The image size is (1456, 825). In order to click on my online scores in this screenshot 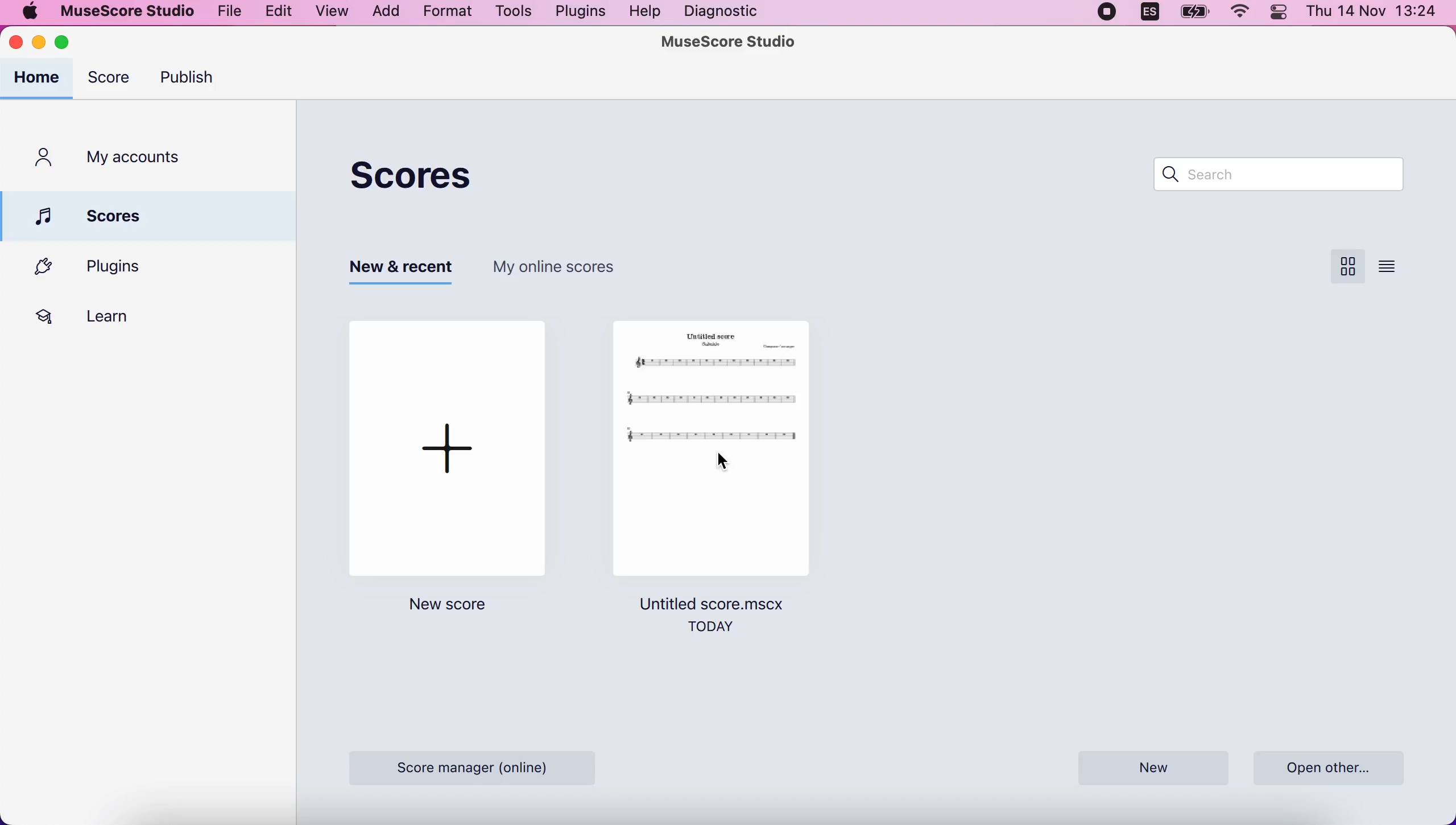, I will do `click(574, 275)`.